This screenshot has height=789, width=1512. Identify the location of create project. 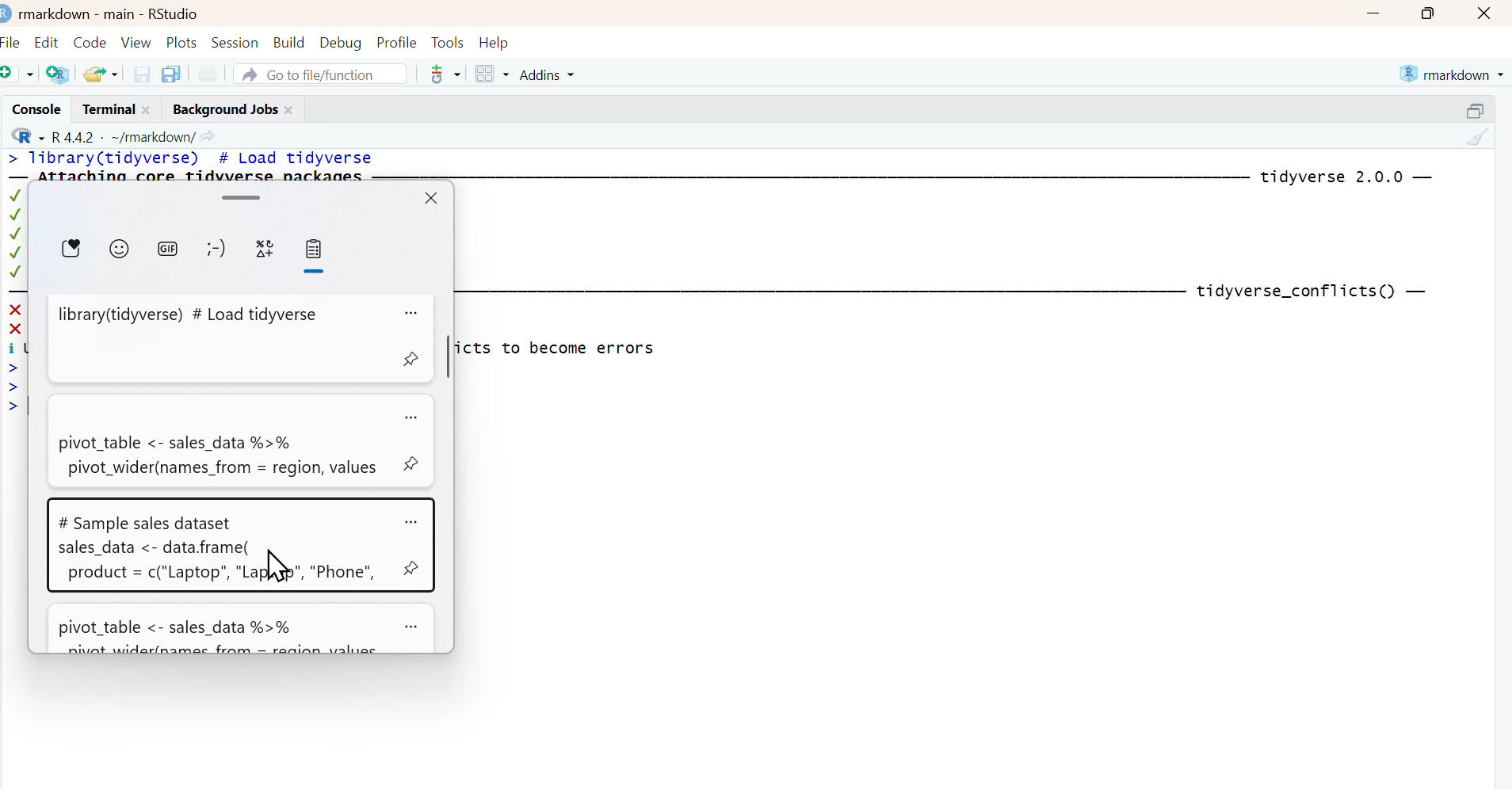
(57, 74).